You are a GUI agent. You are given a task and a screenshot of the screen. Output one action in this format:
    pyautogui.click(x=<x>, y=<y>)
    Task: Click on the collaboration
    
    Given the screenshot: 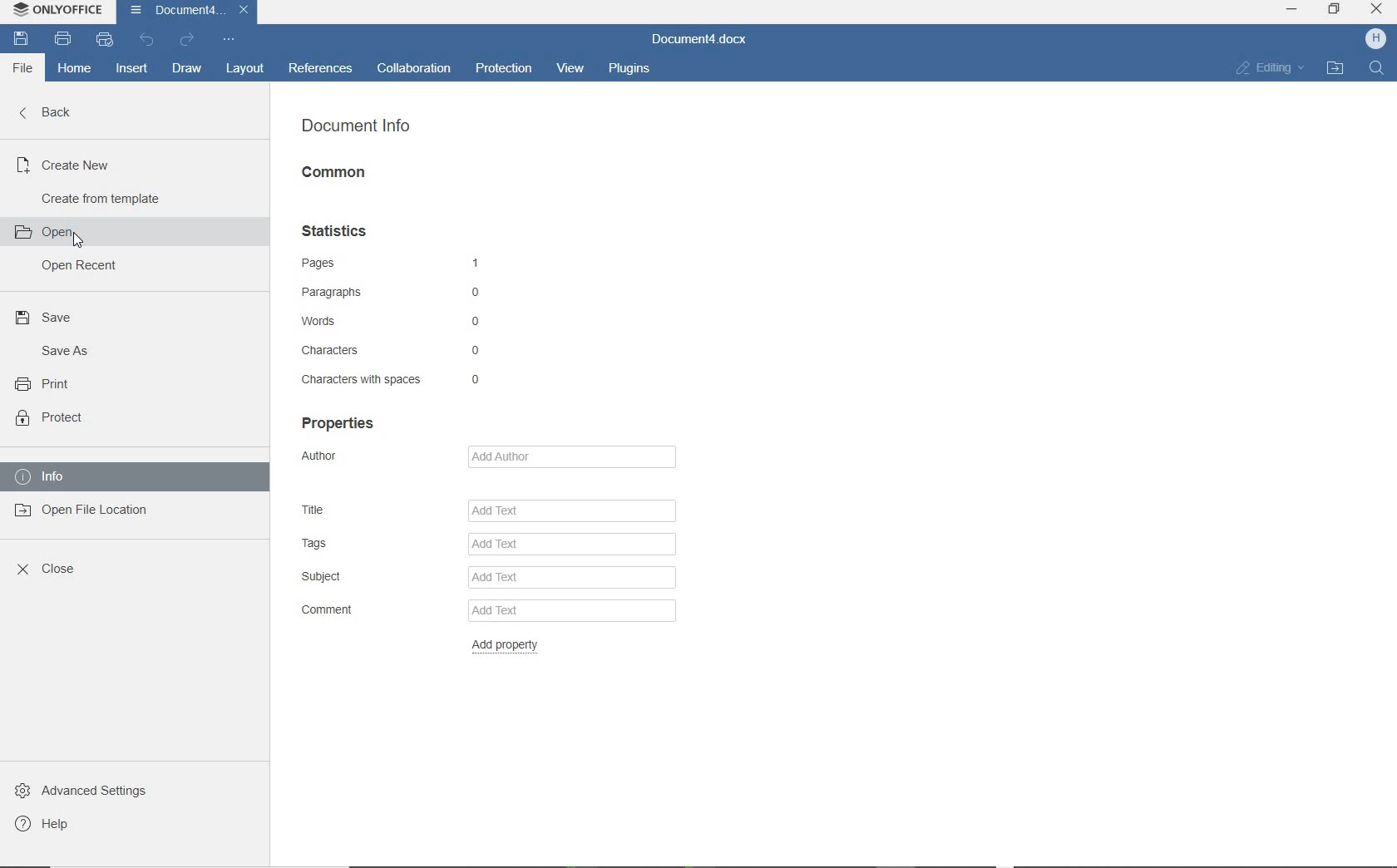 What is the action you would take?
    pyautogui.click(x=415, y=70)
    